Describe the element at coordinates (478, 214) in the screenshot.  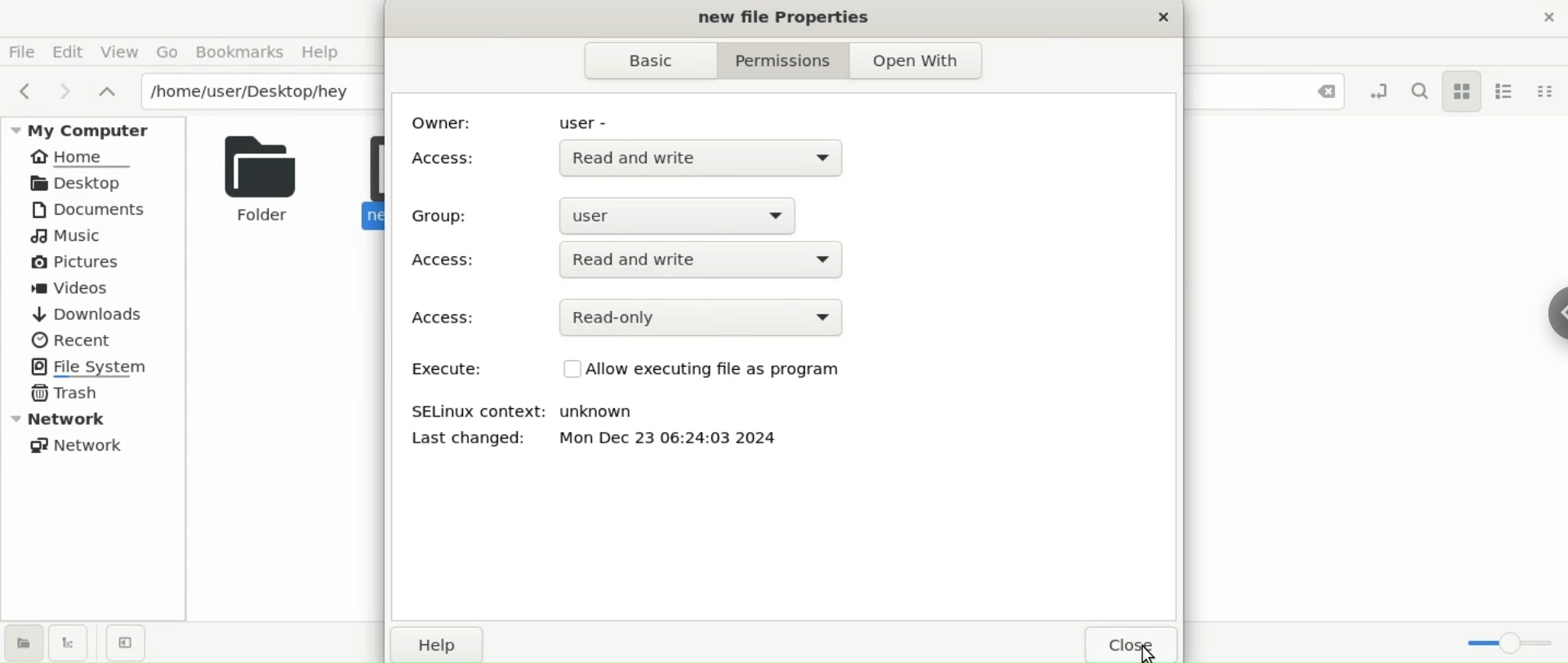
I see `Group` at that location.